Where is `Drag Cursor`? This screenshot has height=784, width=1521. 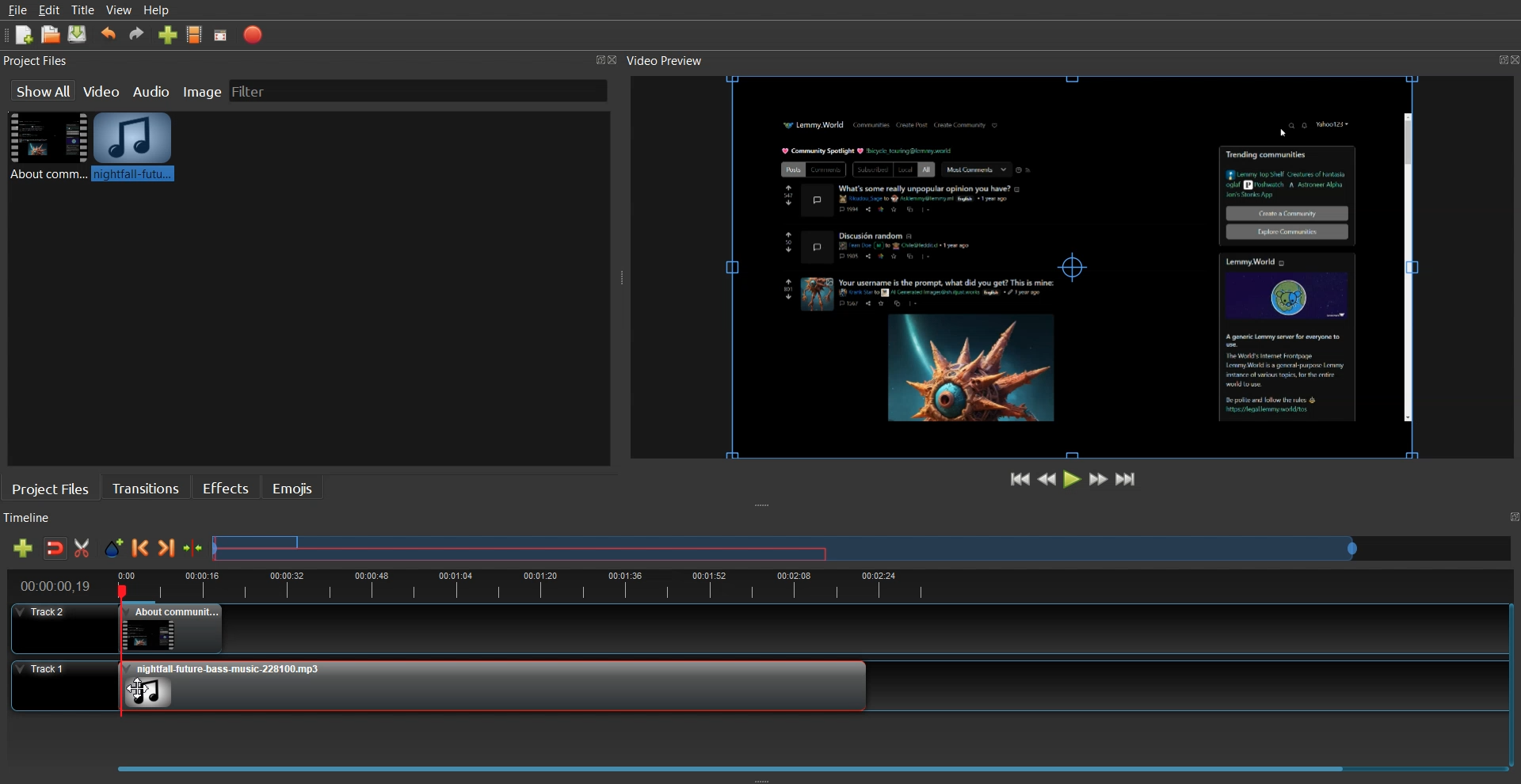
Drag Cursor is located at coordinates (137, 688).